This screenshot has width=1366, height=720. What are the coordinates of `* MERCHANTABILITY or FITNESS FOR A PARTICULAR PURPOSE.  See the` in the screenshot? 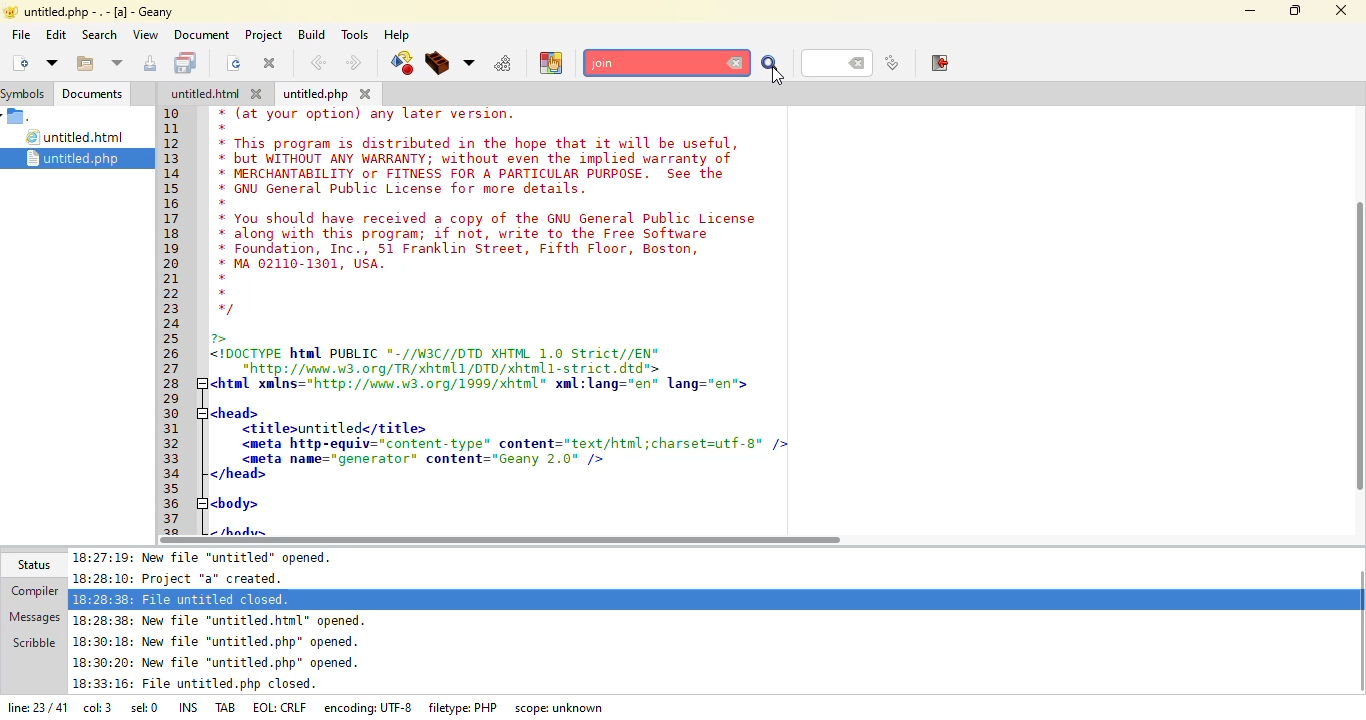 It's located at (478, 175).